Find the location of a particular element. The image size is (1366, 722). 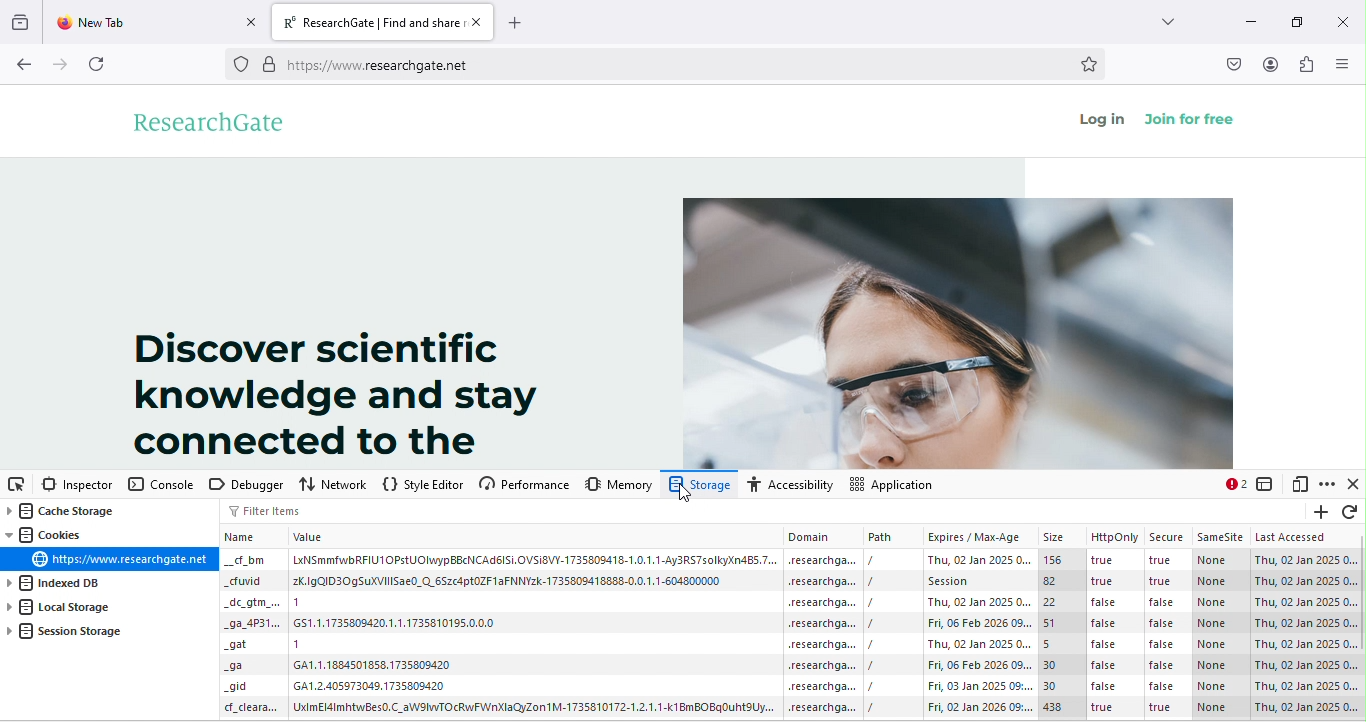

Name is located at coordinates (242, 536).